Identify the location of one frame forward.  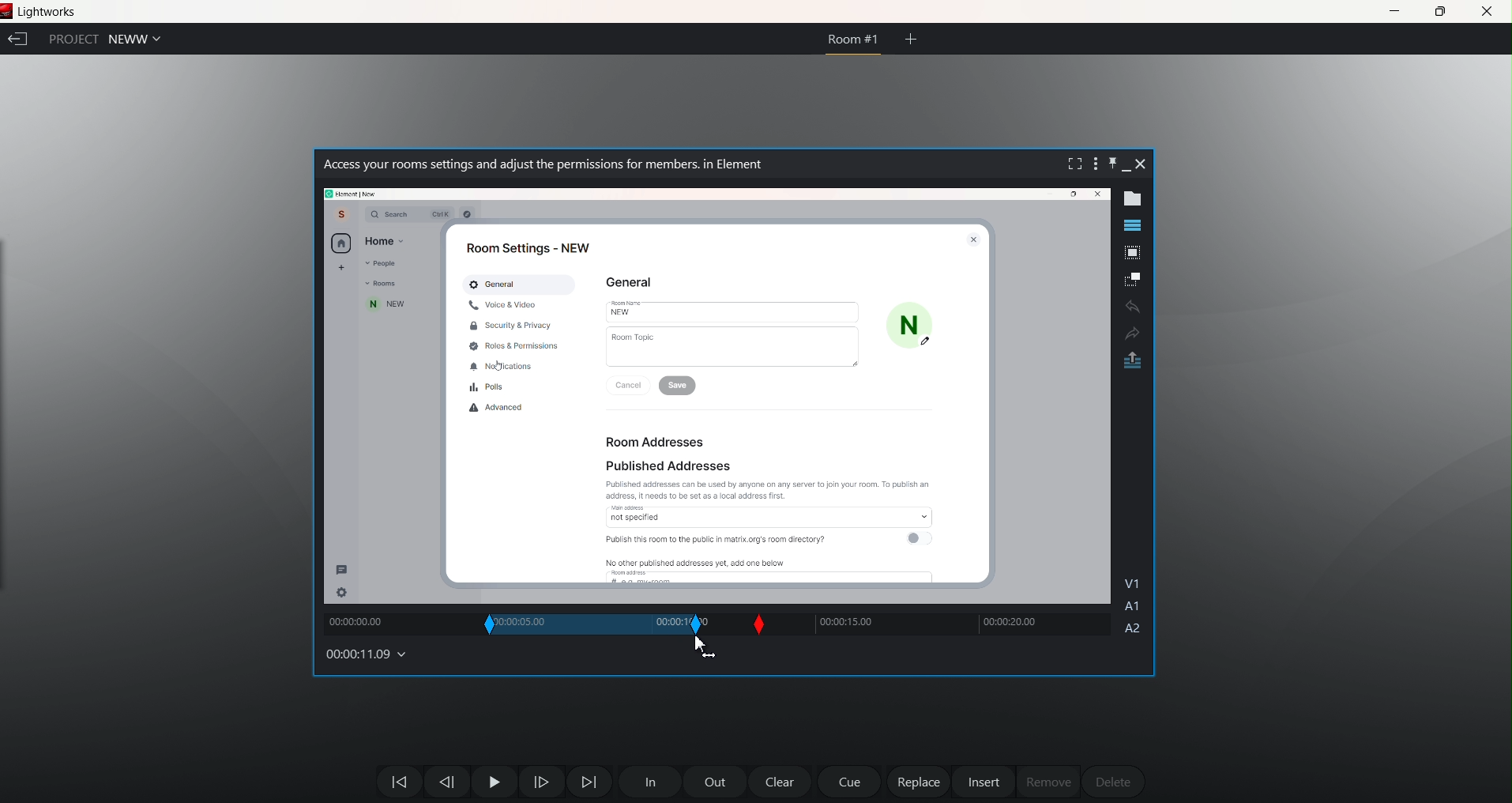
(540, 781).